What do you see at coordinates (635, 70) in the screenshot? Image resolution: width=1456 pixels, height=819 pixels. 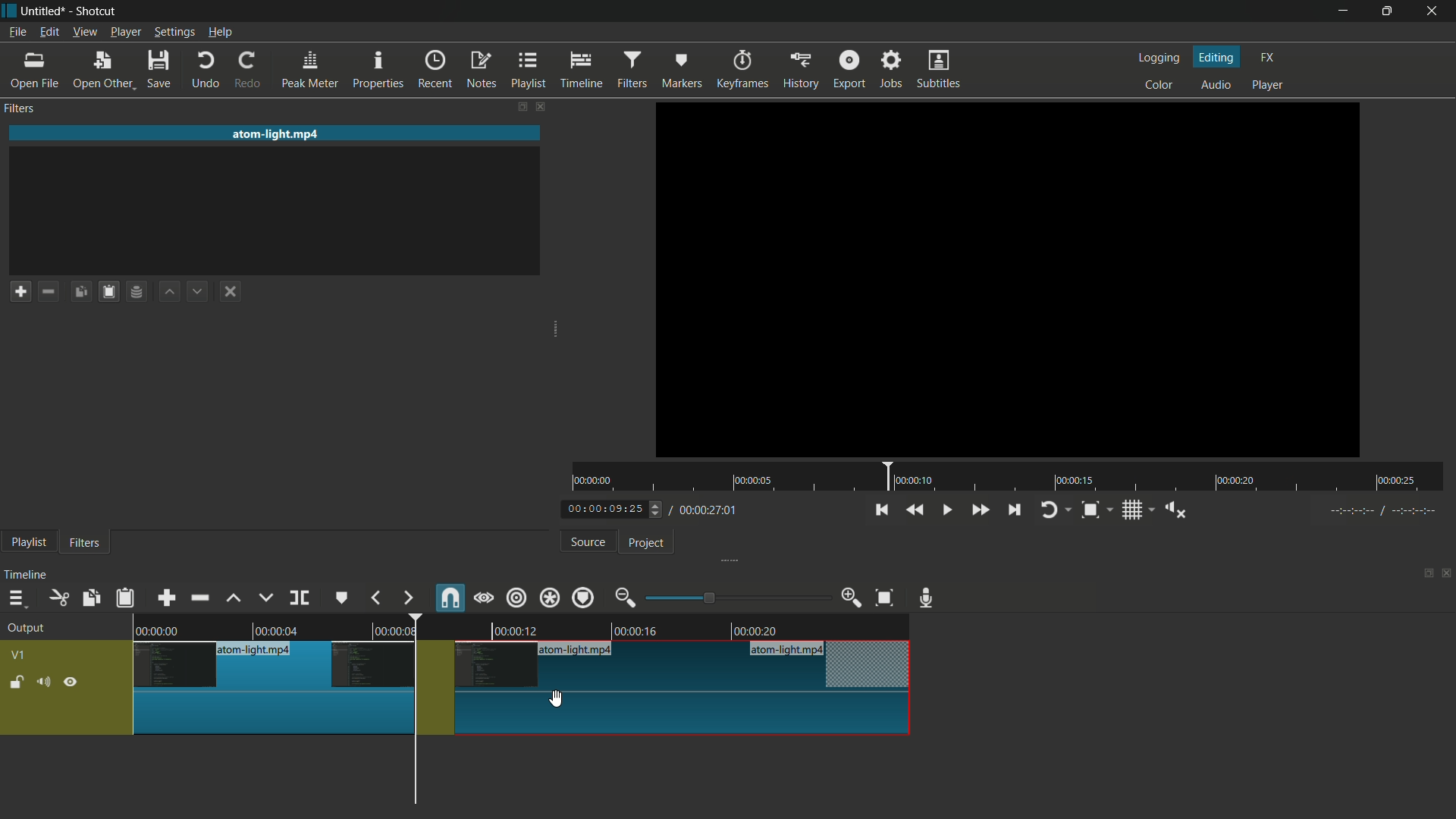 I see `filters` at bounding box center [635, 70].